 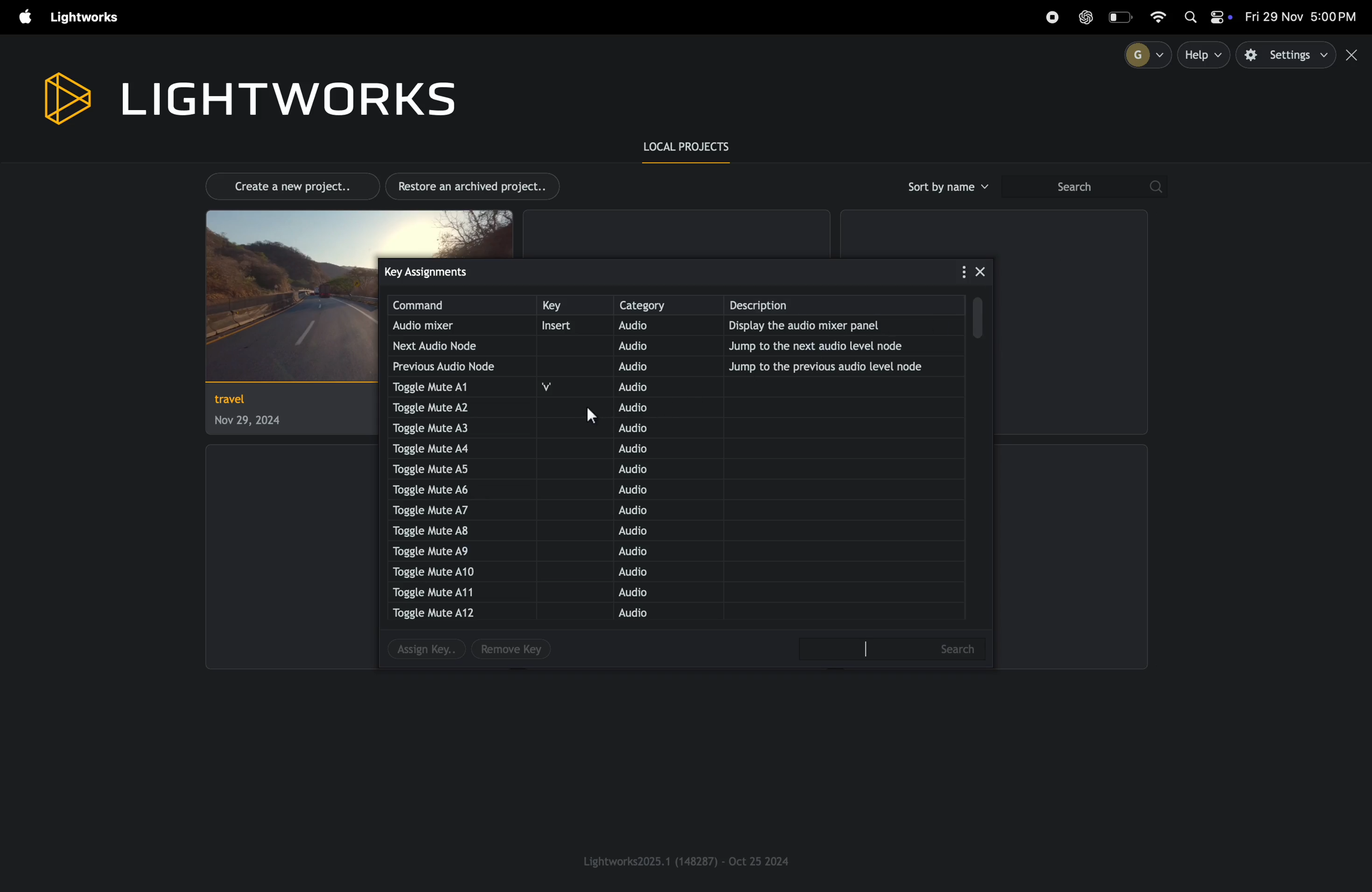 I want to click on light works, so click(x=88, y=18).